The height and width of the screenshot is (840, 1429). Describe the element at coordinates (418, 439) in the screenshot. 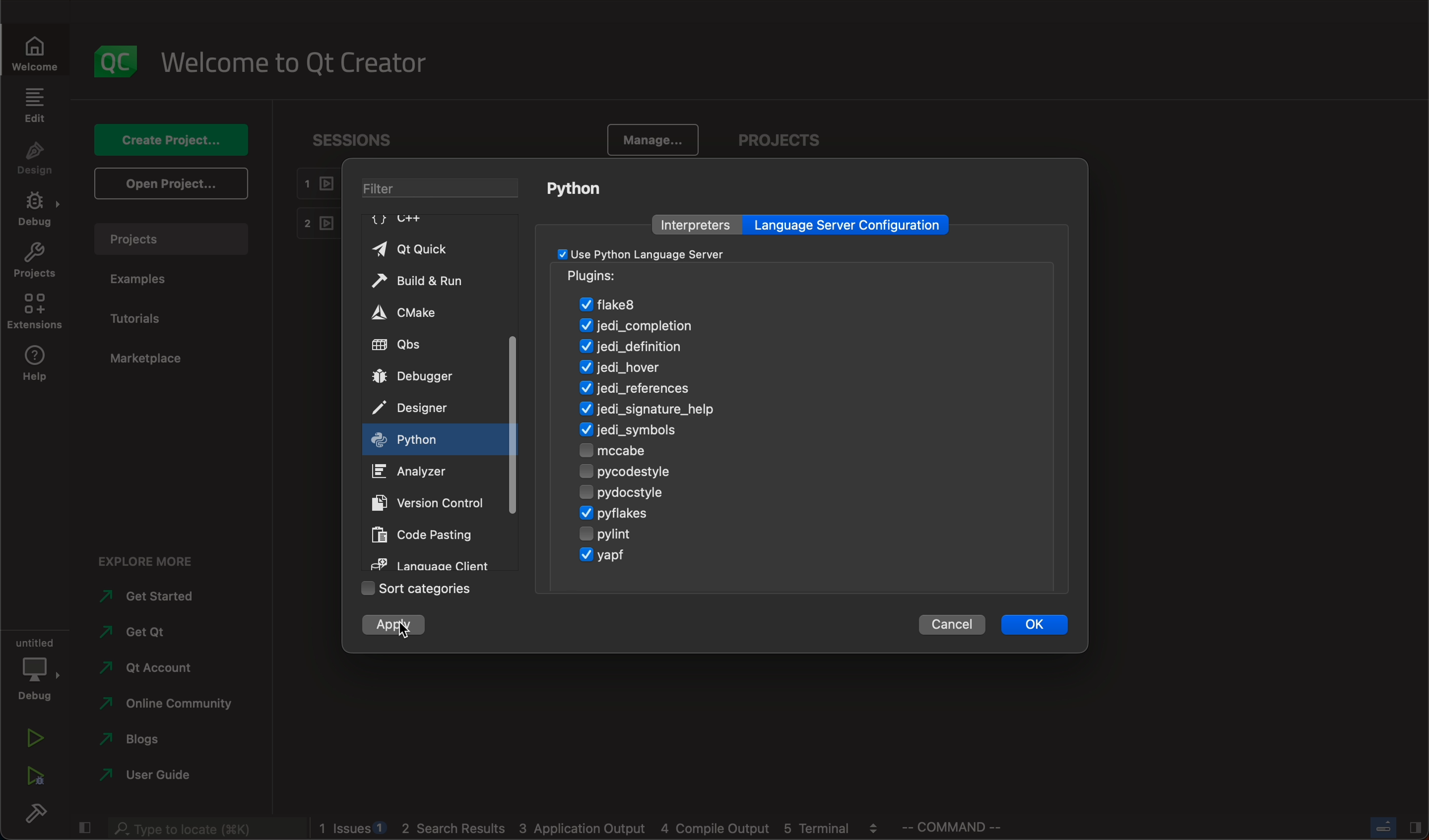

I see `on key up` at that location.